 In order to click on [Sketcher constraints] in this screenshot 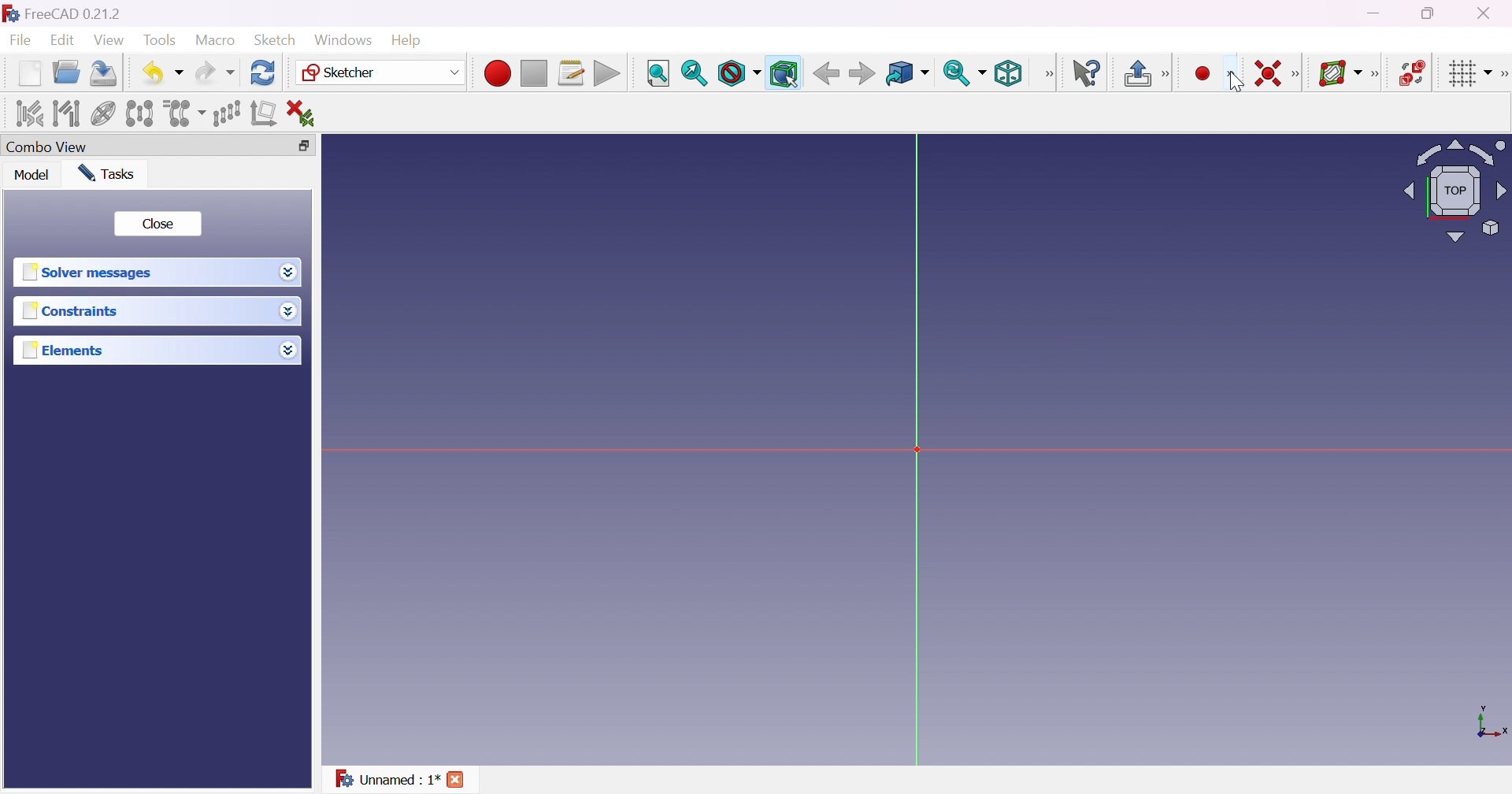, I will do `click(1298, 73)`.